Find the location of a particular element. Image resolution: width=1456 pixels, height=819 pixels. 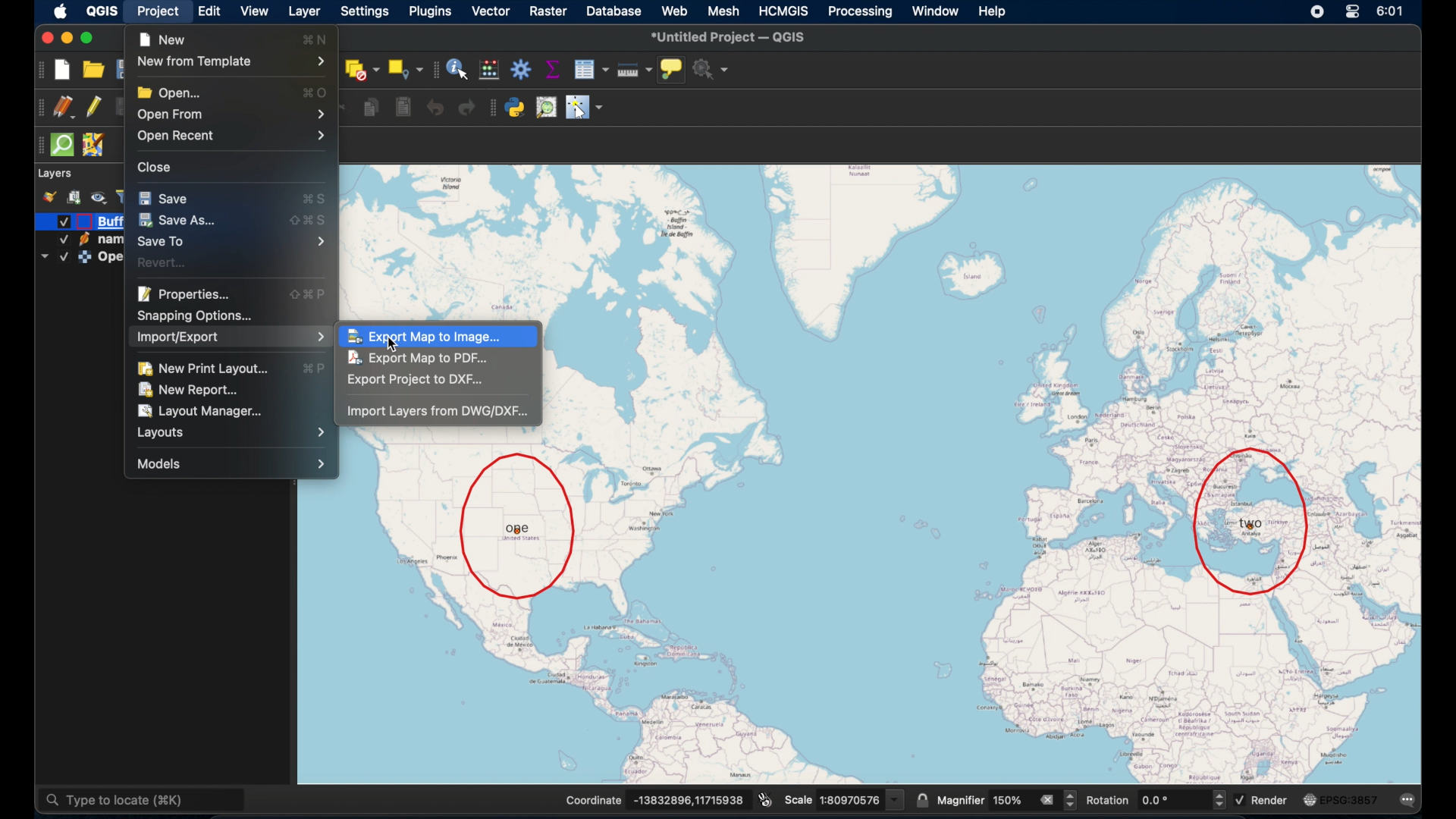

messages is located at coordinates (1409, 799).